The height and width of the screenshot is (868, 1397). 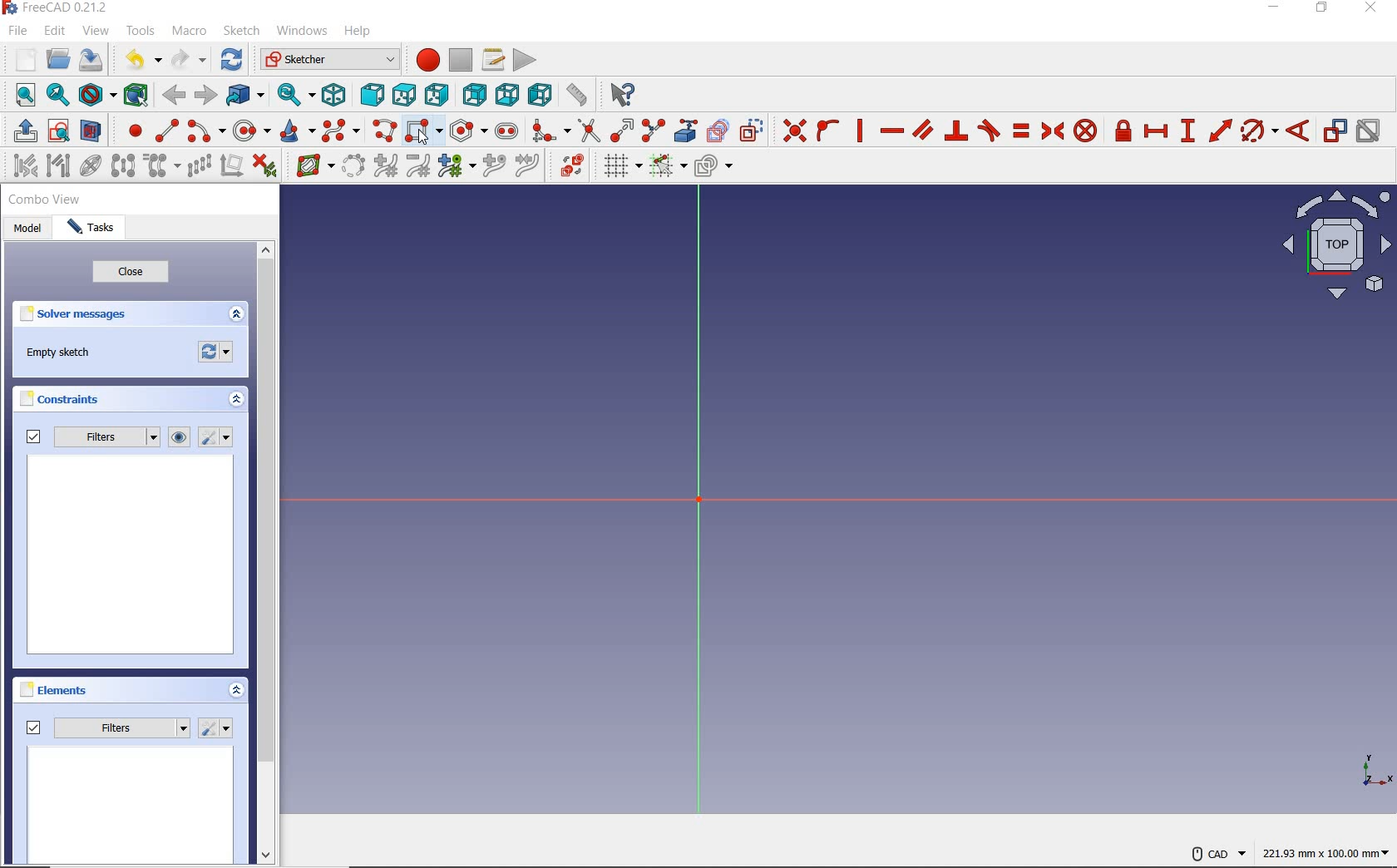 I want to click on decrease B-Spline degree, so click(x=419, y=168).